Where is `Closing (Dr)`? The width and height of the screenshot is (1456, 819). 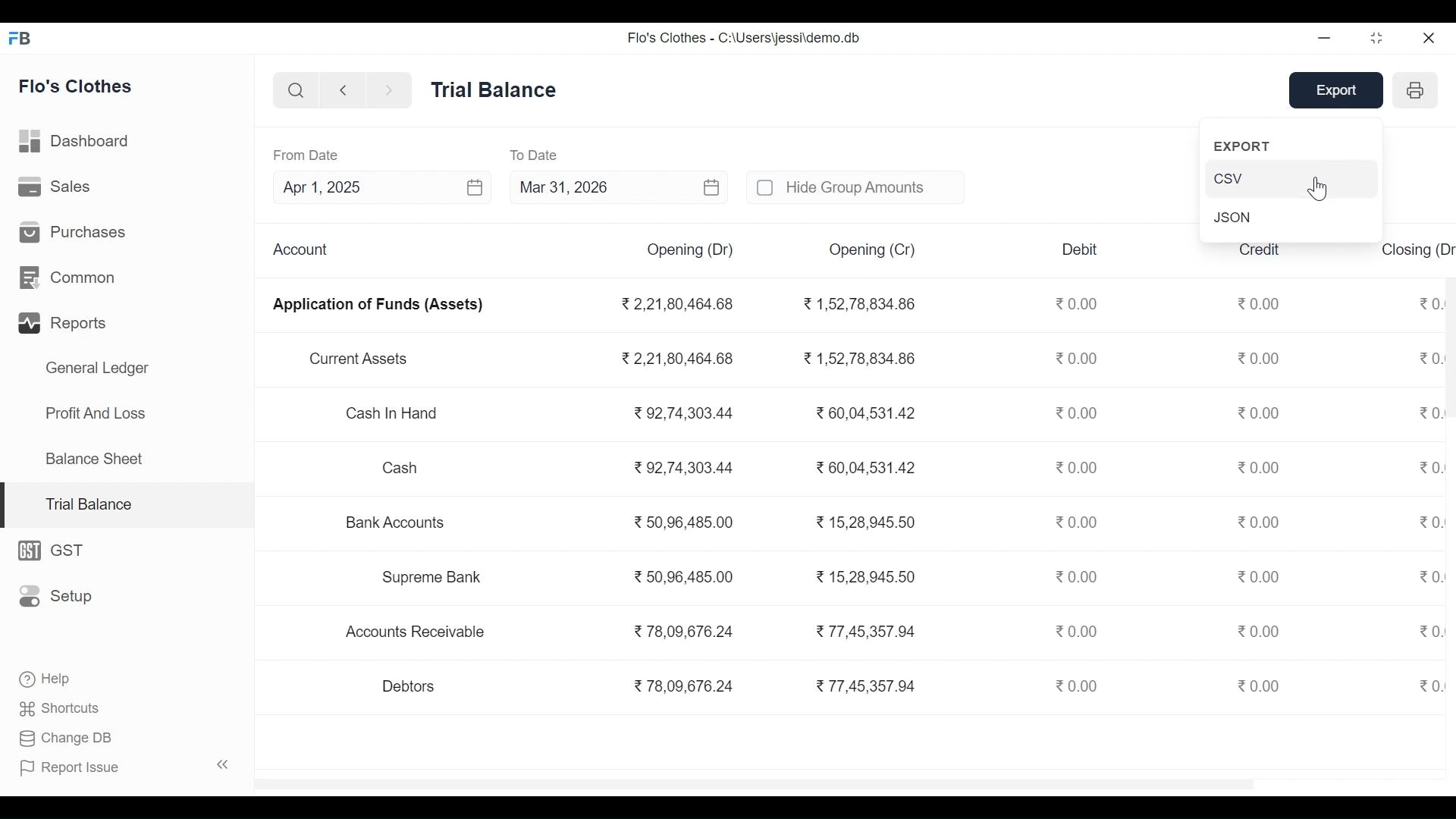
Closing (Dr) is located at coordinates (1417, 247).